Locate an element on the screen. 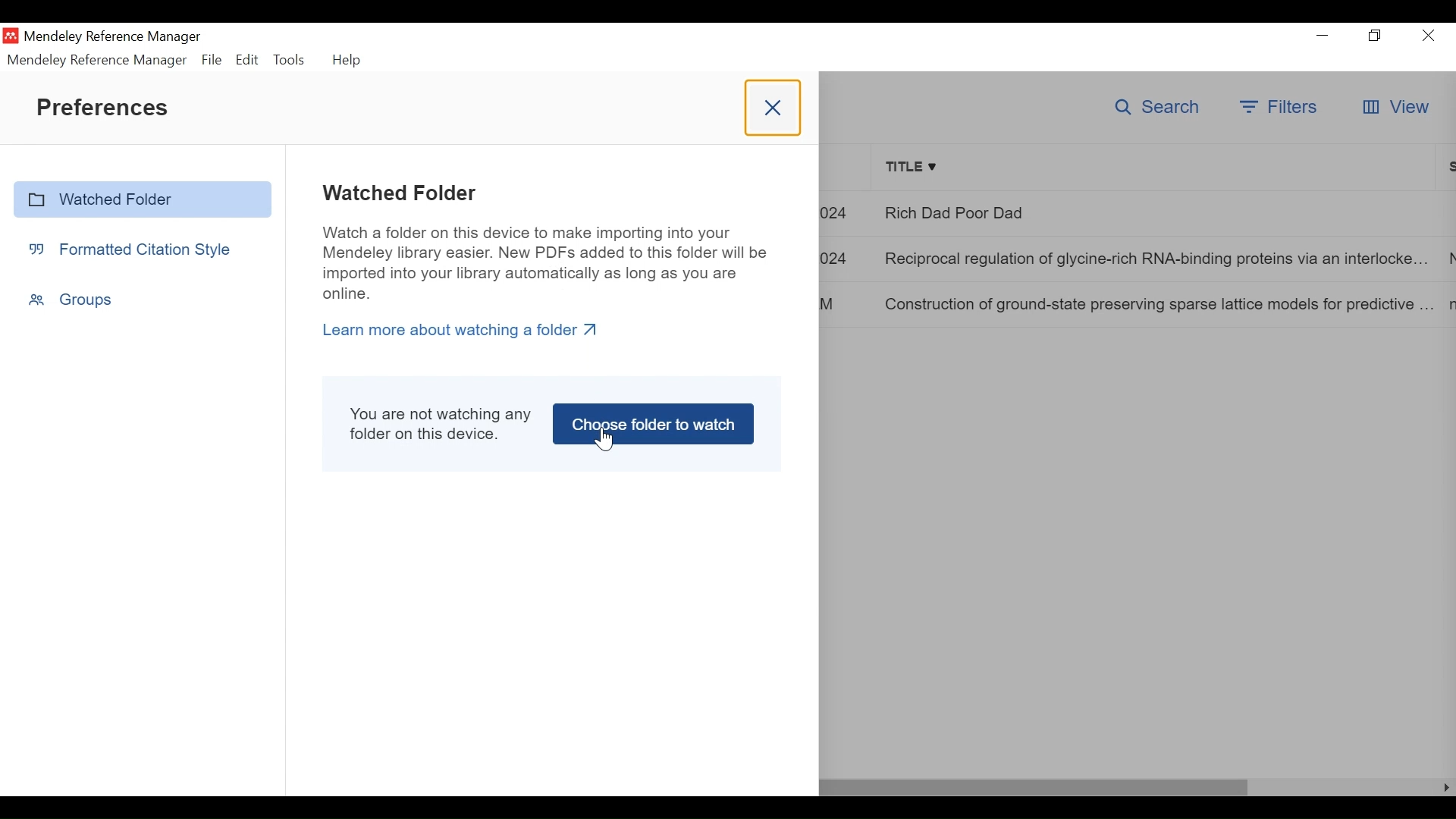 Image resolution: width=1456 pixels, height=819 pixels. File is located at coordinates (212, 61).